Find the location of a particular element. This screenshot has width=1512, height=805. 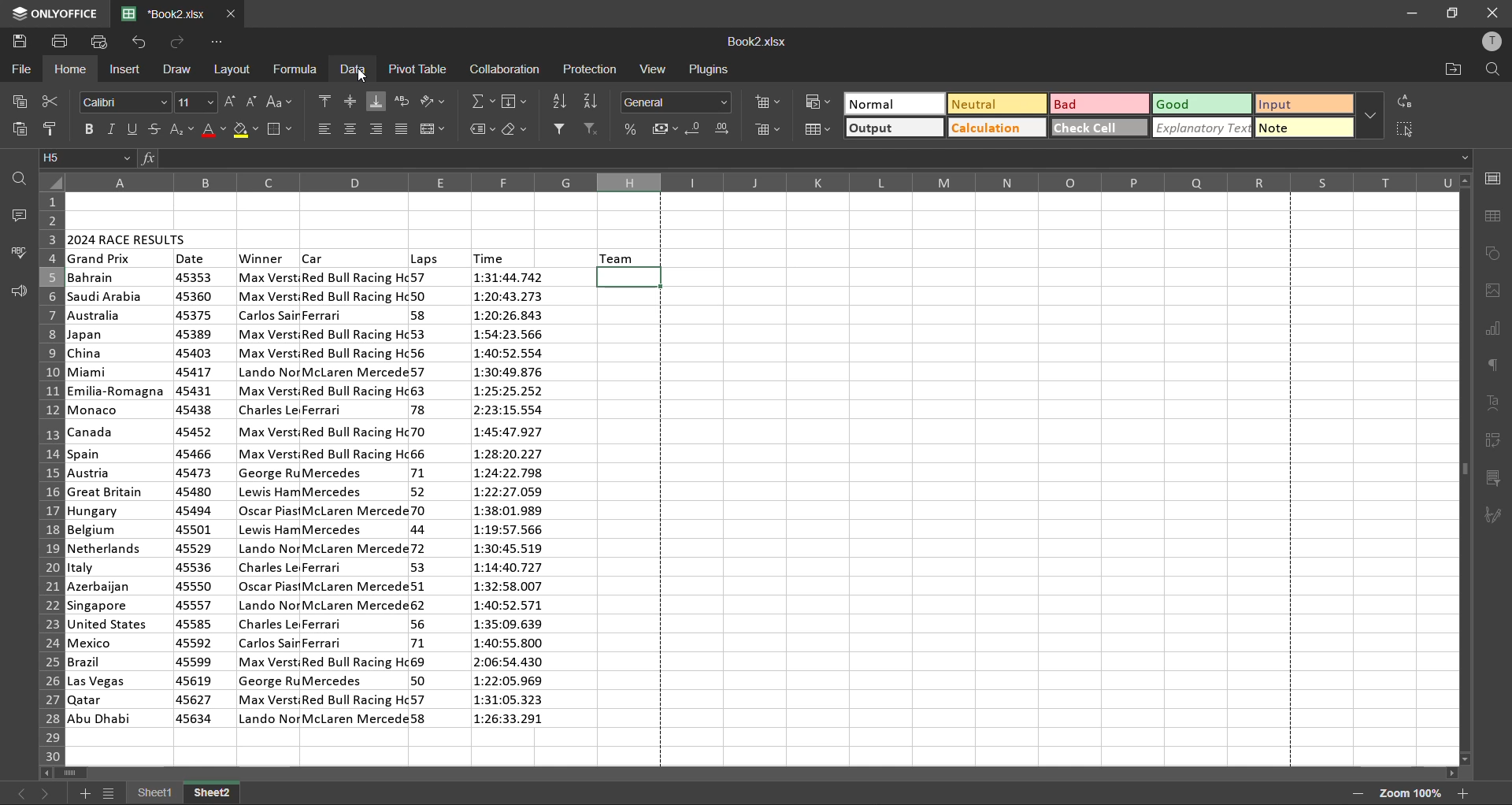

charts is located at coordinates (1493, 331).